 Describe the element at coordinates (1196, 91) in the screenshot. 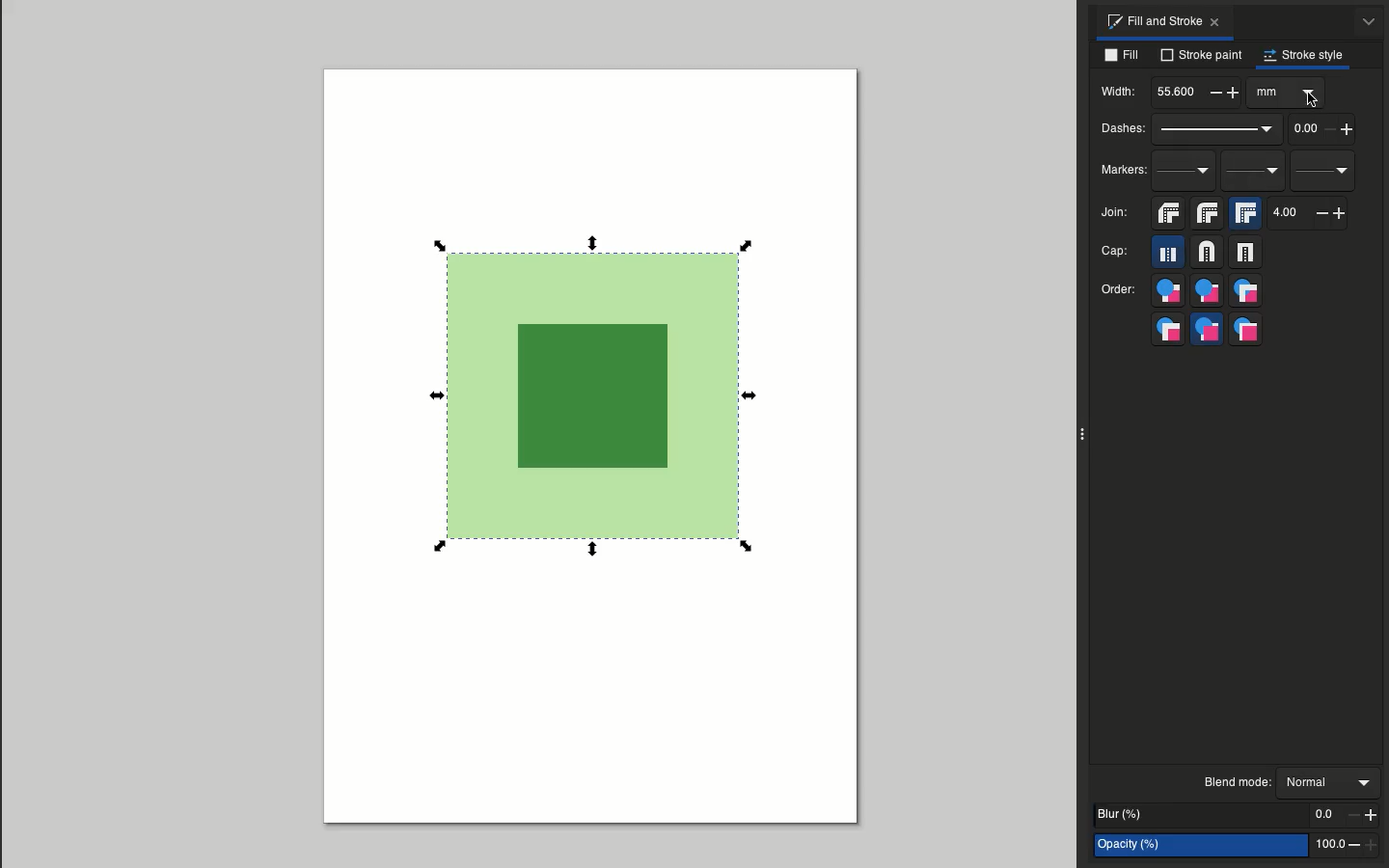

I see `55.6` at that location.